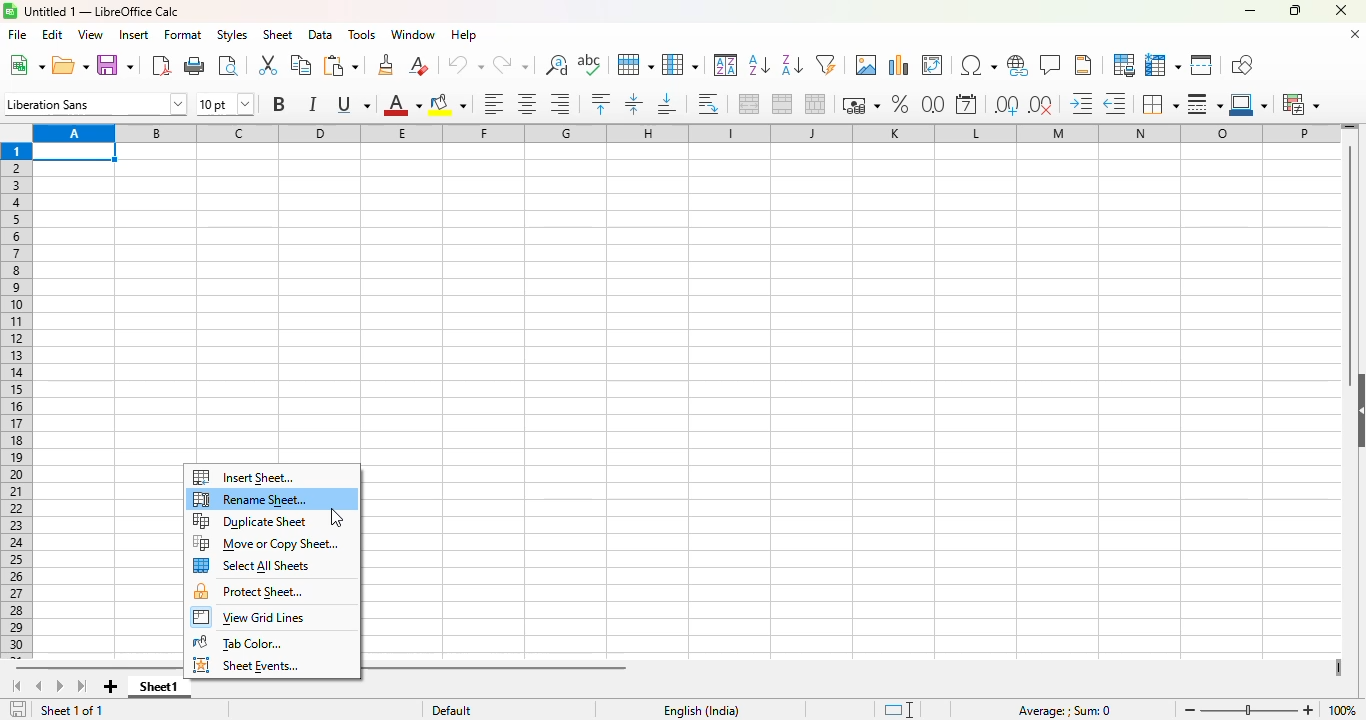 The image size is (1366, 720). What do you see at coordinates (967, 103) in the screenshot?
I see `format as date` at bounding box center [967, 103].